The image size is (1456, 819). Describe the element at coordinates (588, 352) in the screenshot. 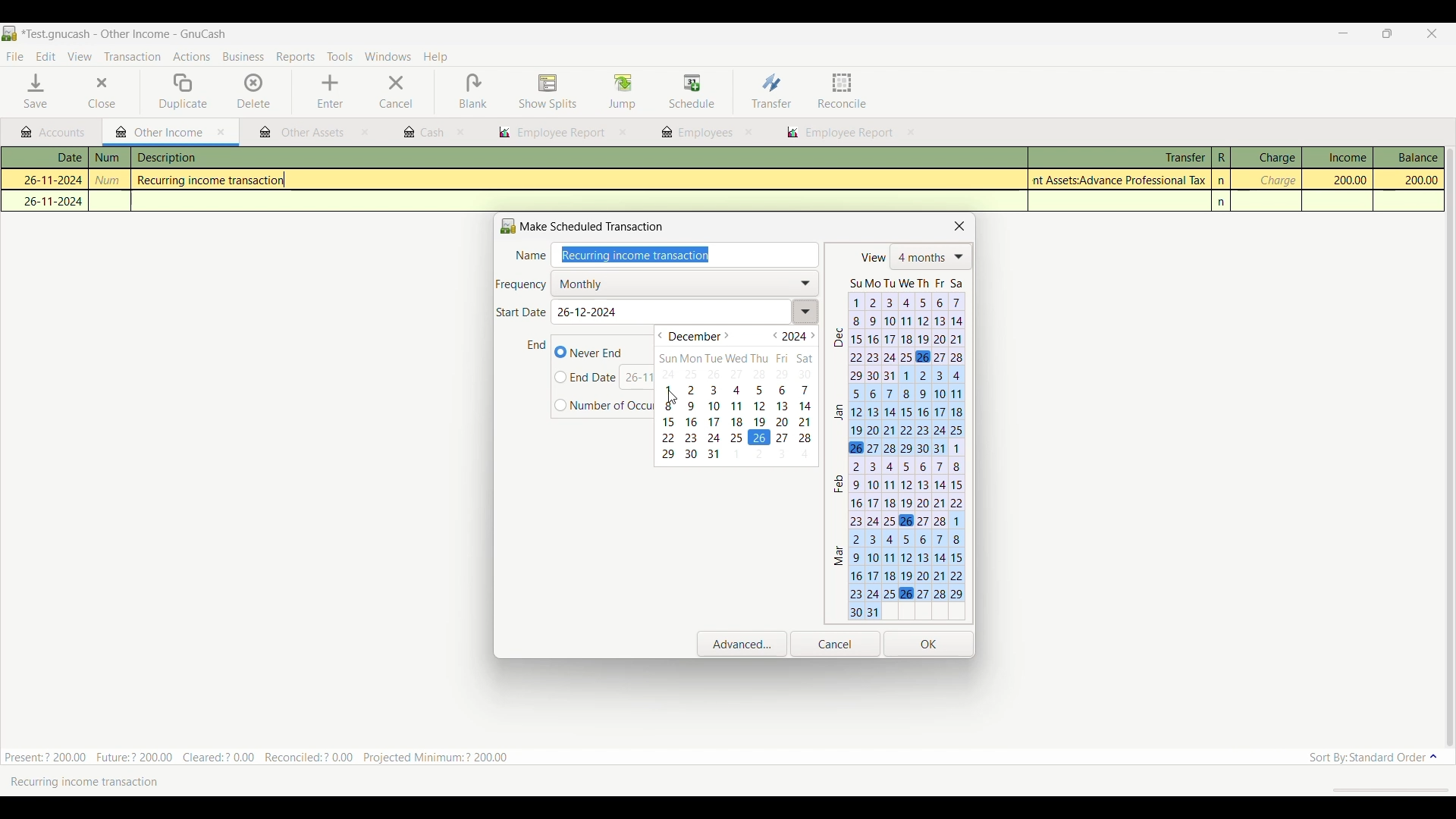

I see `Never end transaction, current selection` at that location.